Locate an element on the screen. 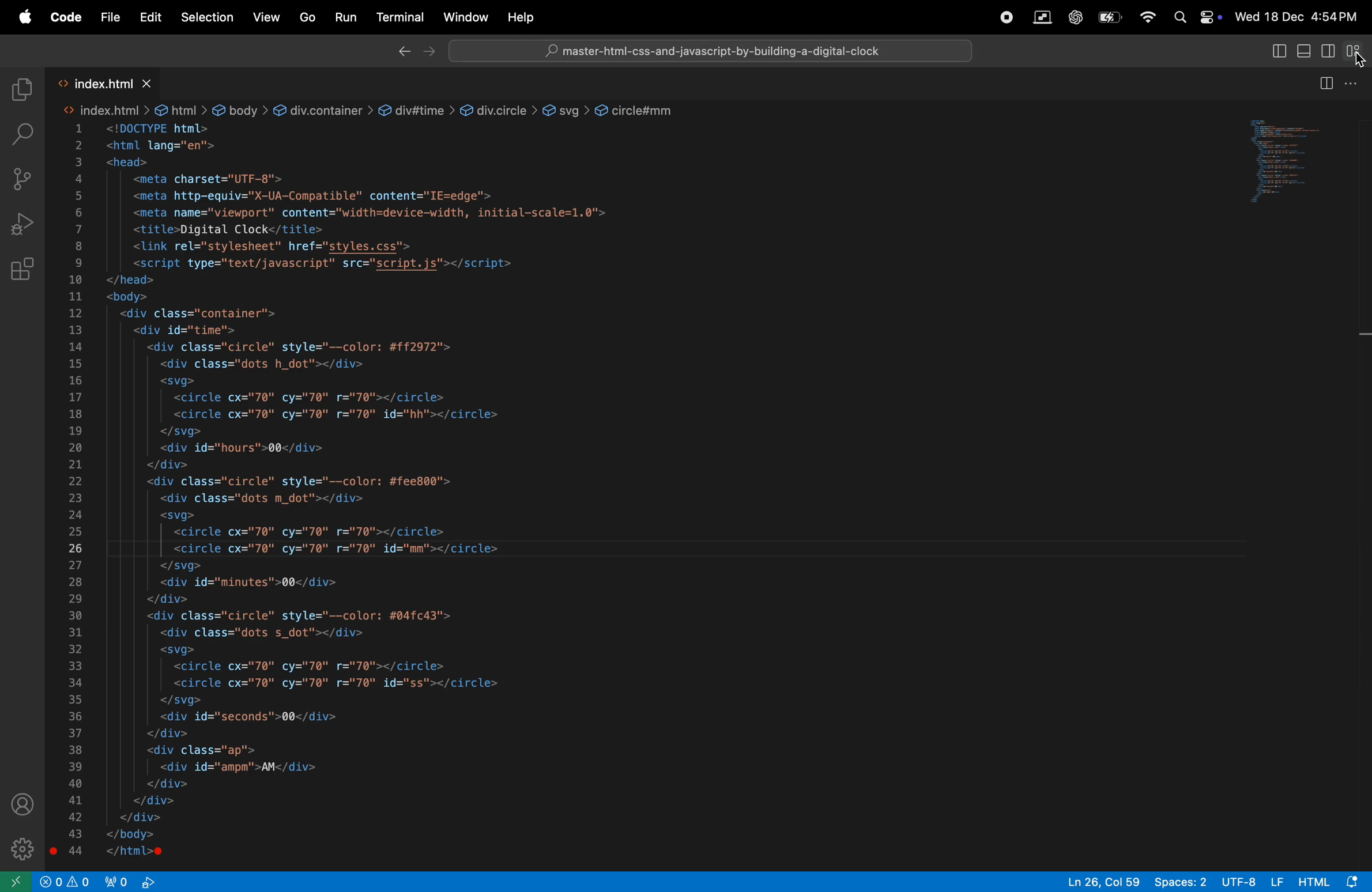  options is located at coordinates (1352, 82).